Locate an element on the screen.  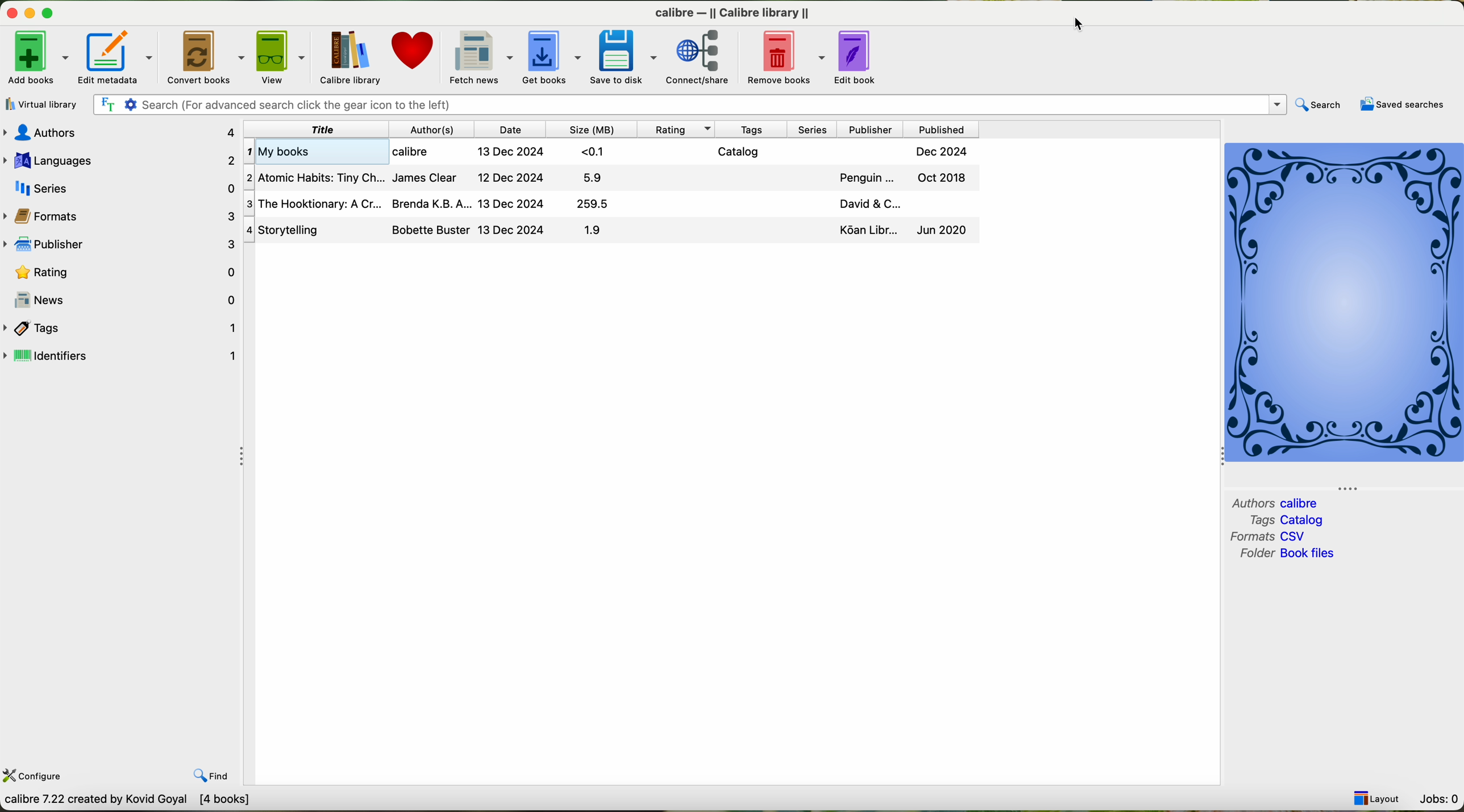
save to disk is located at coordinates (623, 57).